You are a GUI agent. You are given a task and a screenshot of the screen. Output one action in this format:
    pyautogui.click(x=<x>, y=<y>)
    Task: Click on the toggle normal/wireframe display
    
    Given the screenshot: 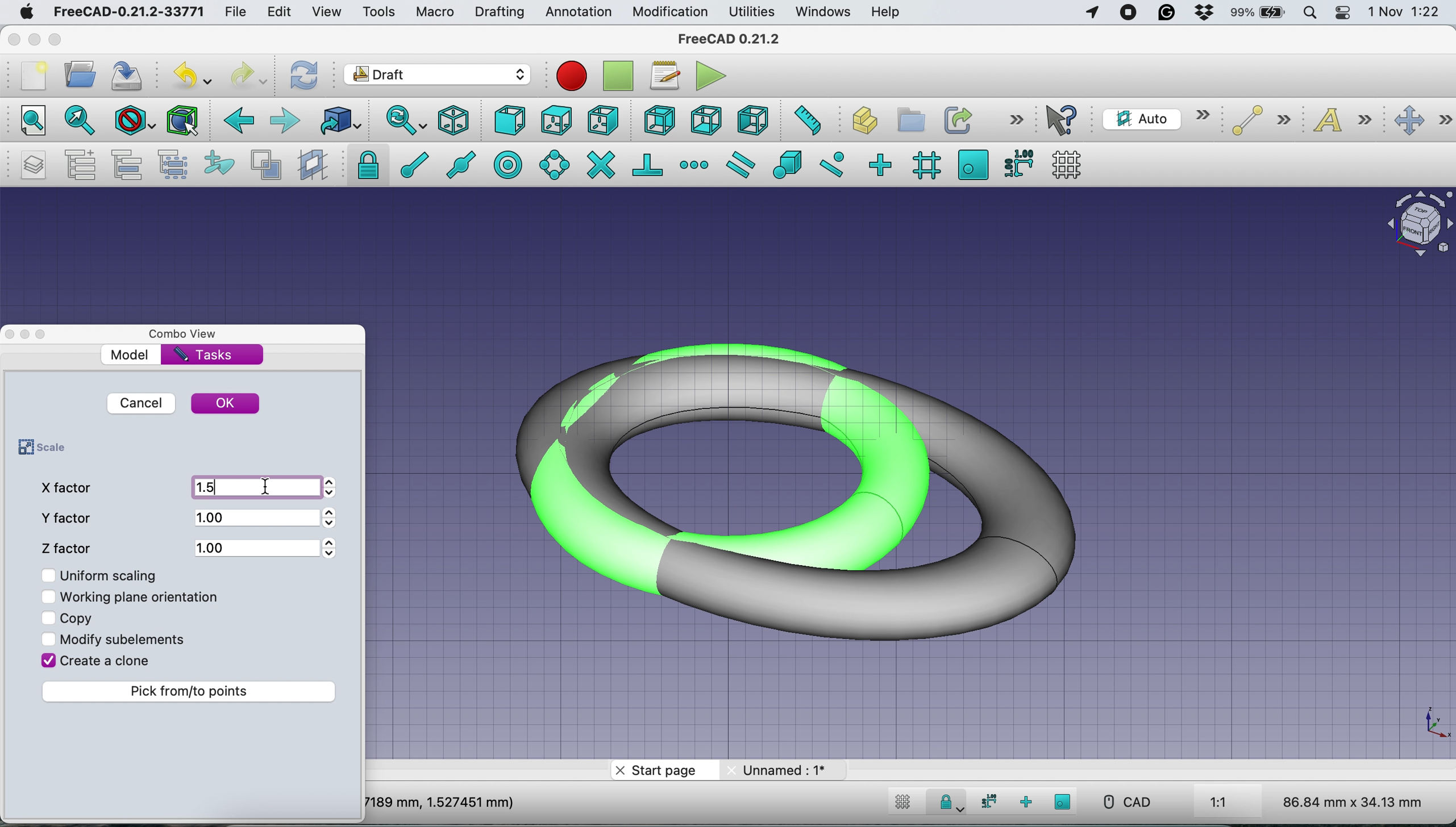 What is the action you would take?
    pyautogui.click(x=265, y=165)
    